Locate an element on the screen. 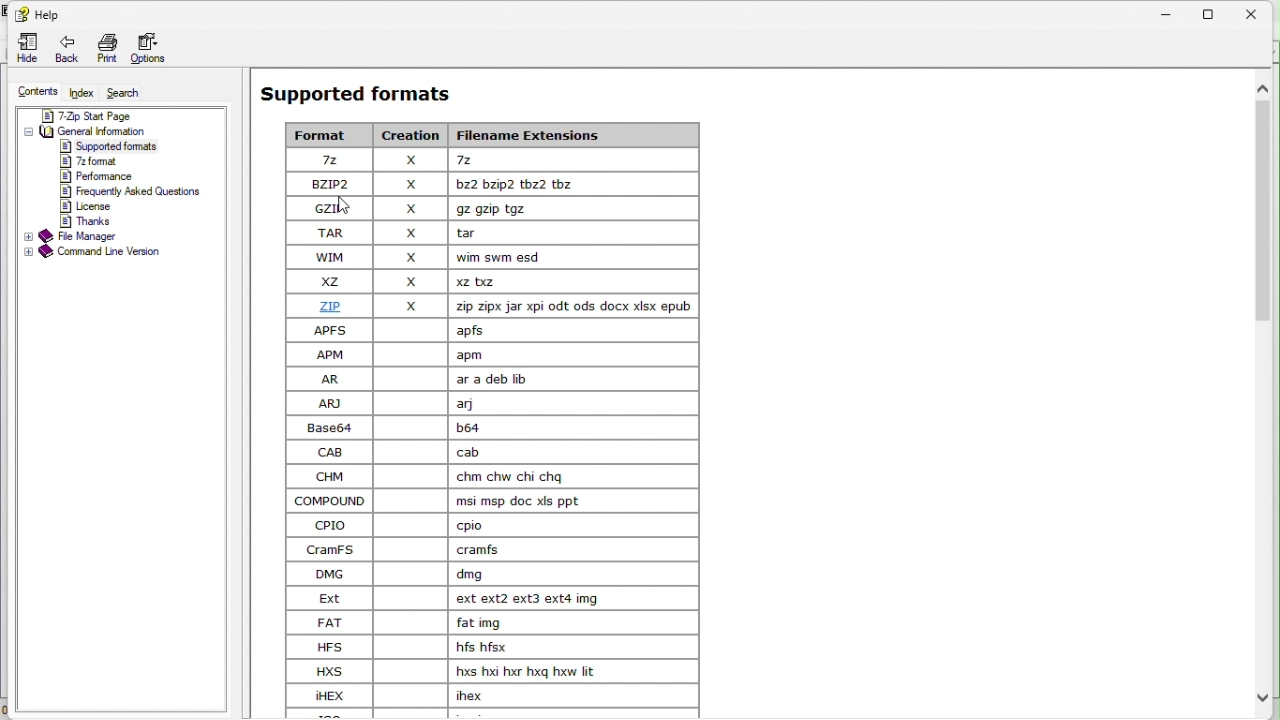  Vertical scroll bar is located at coordinates (1267, 195).